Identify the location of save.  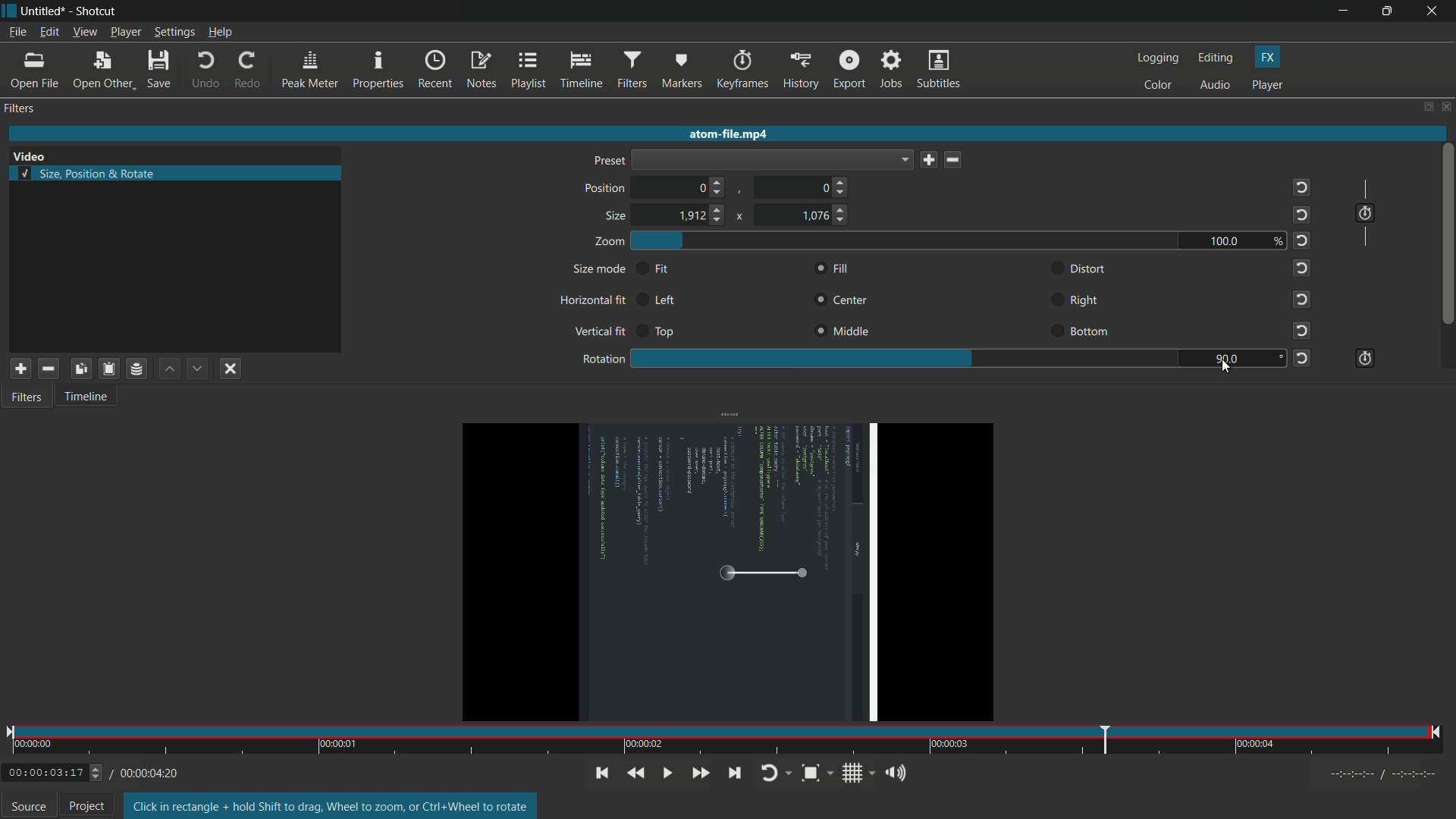
(929, 161).